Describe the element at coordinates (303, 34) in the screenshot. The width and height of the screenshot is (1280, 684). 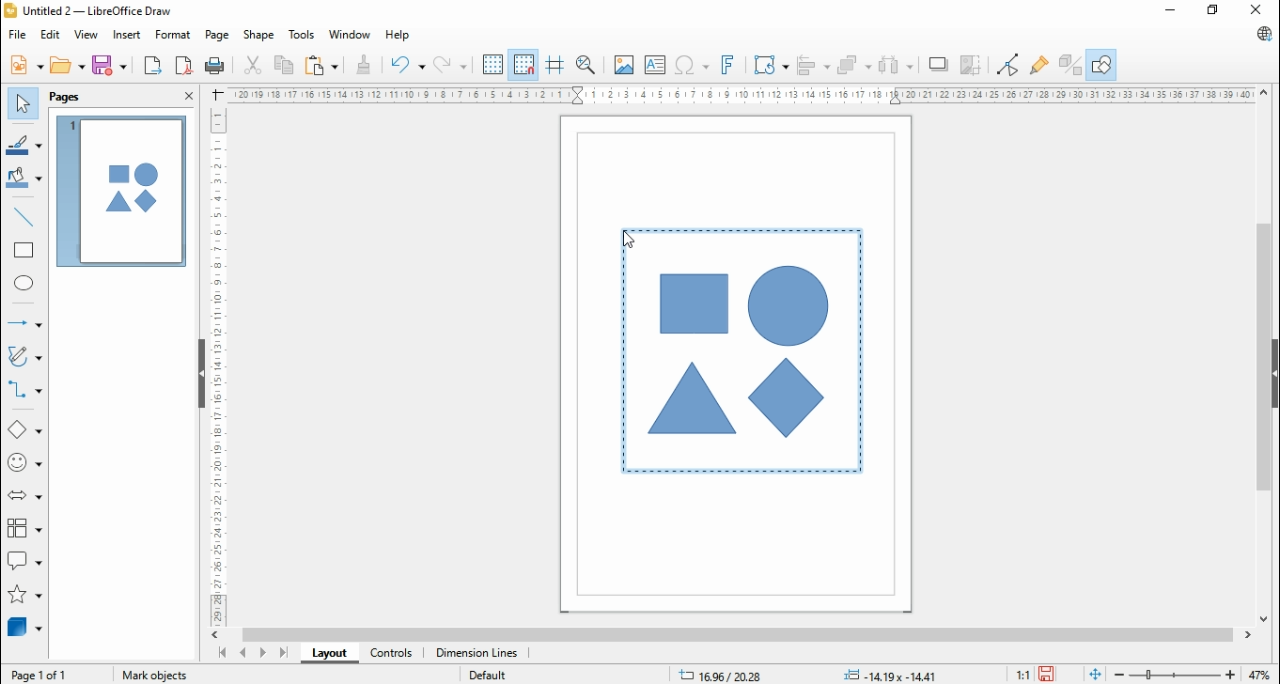
I see `tools` at that location.